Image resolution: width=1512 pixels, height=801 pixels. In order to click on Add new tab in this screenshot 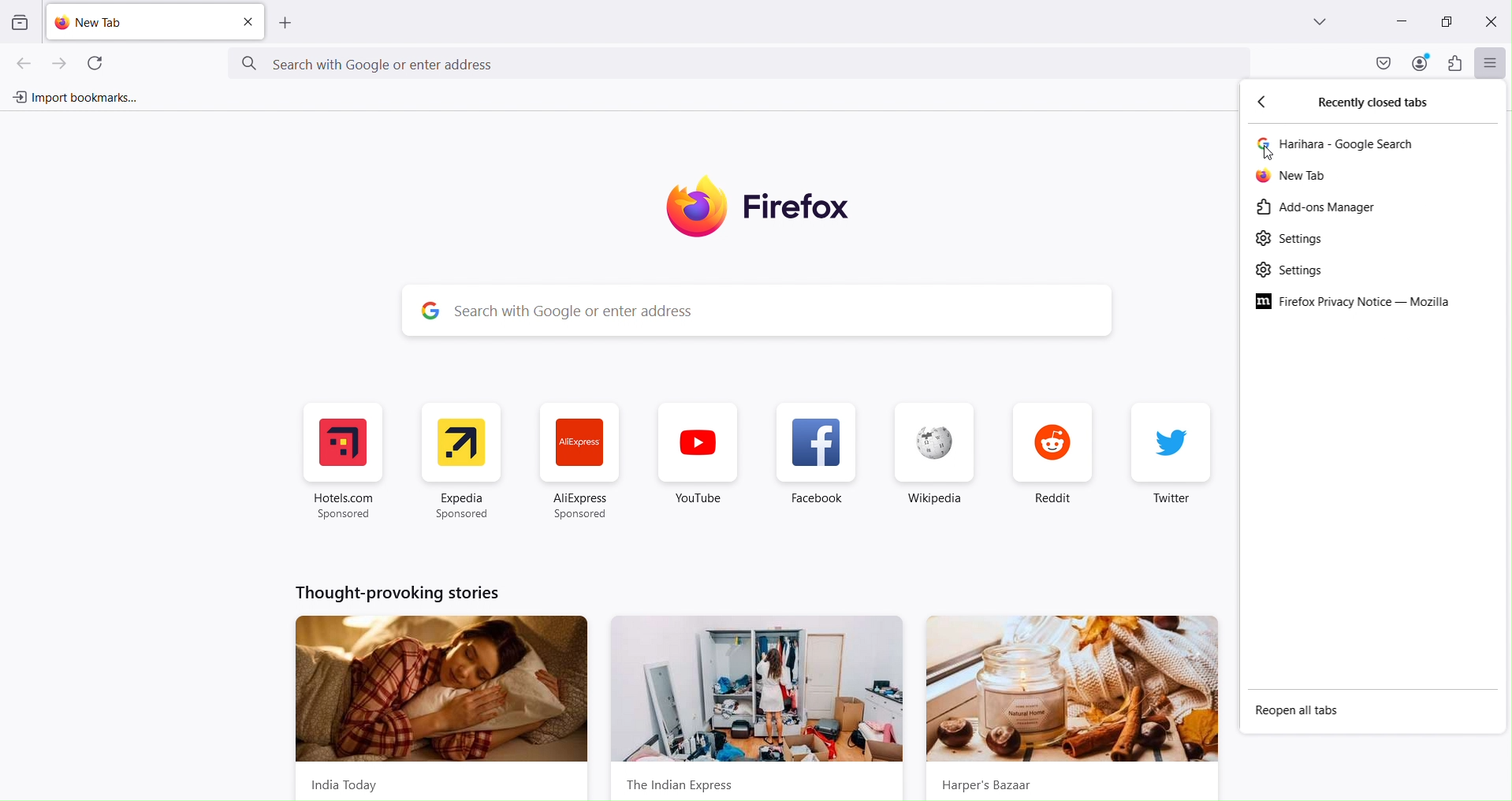, I will do `click(286, 24)`.